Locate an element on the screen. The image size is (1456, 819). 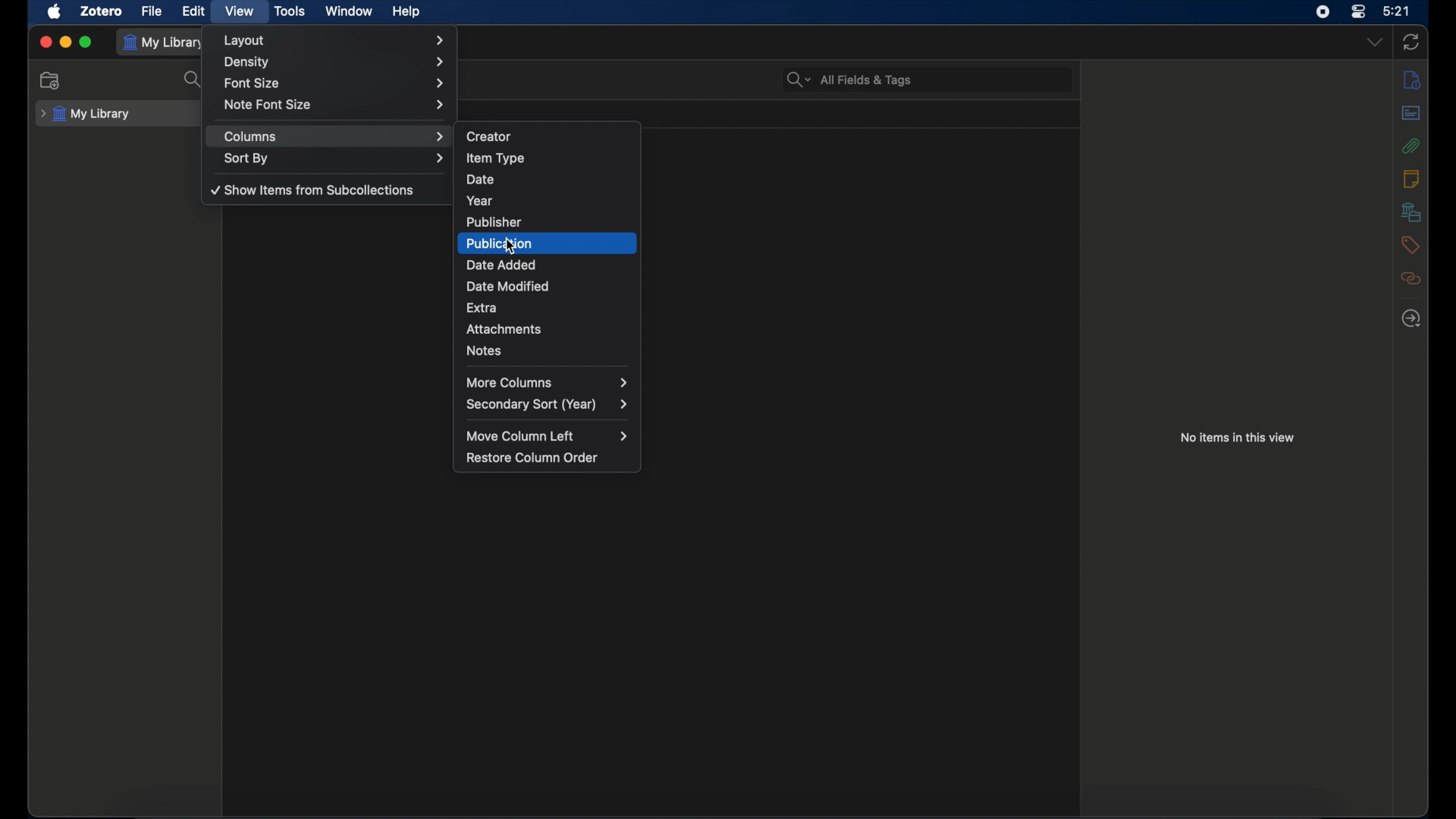
help is located at coordinates (406, 11).